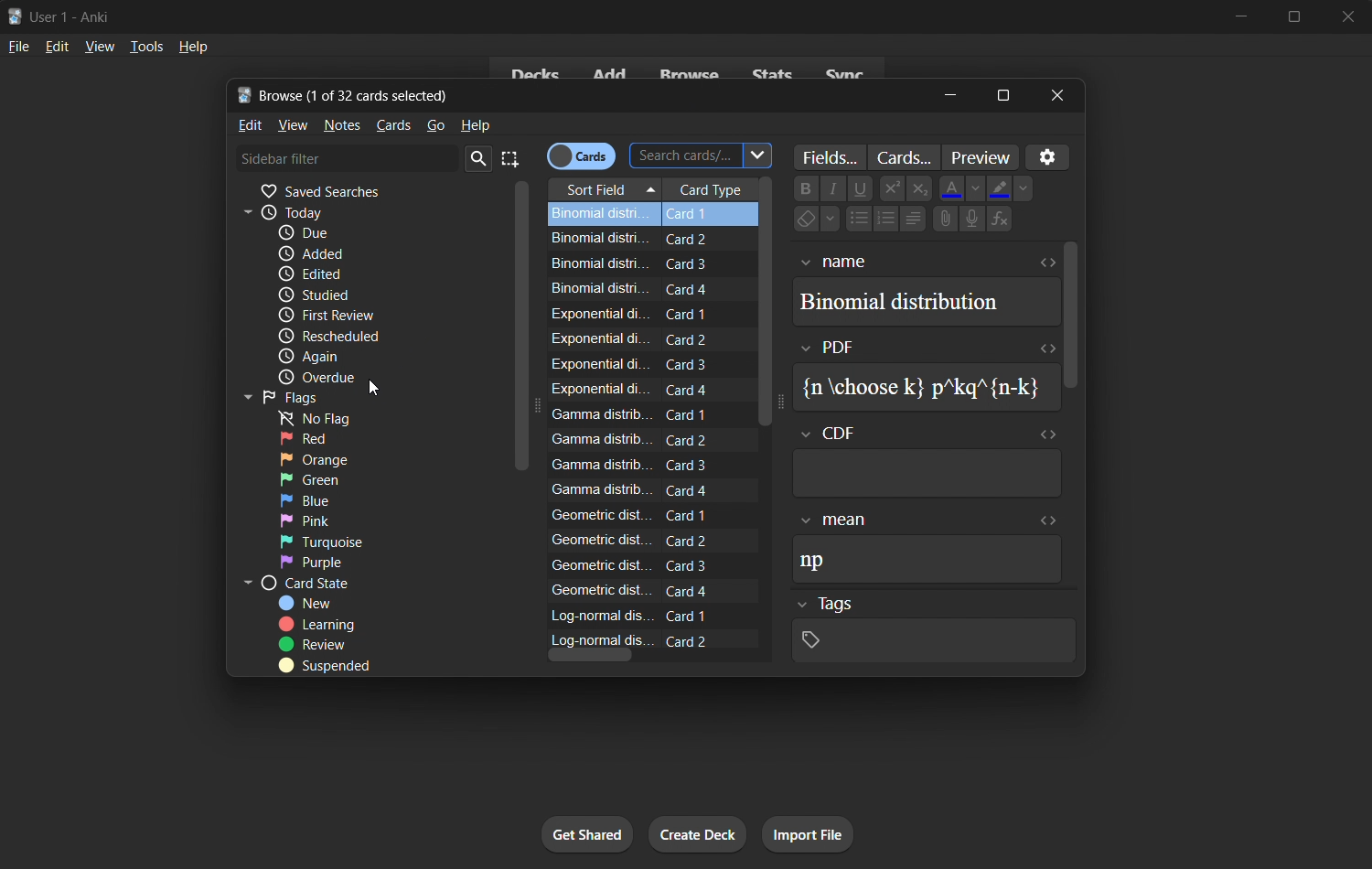 This screenshot has height=869, width=1372. I want to click on Log-normal dis, so click(602, 640).